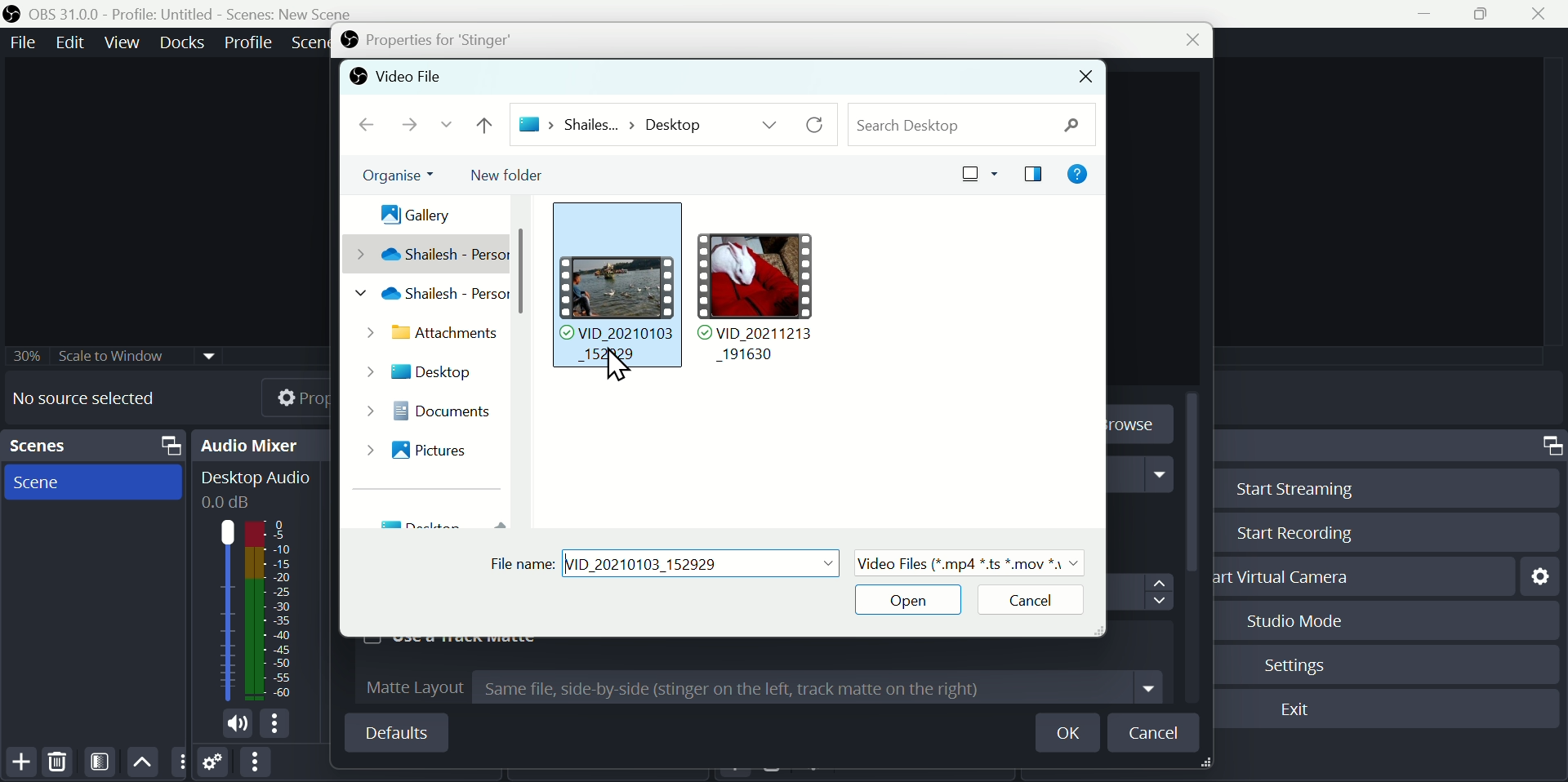 Image resolution: width=1568 pixels, height=782 pixels. I want to click on , so click(73, 42).